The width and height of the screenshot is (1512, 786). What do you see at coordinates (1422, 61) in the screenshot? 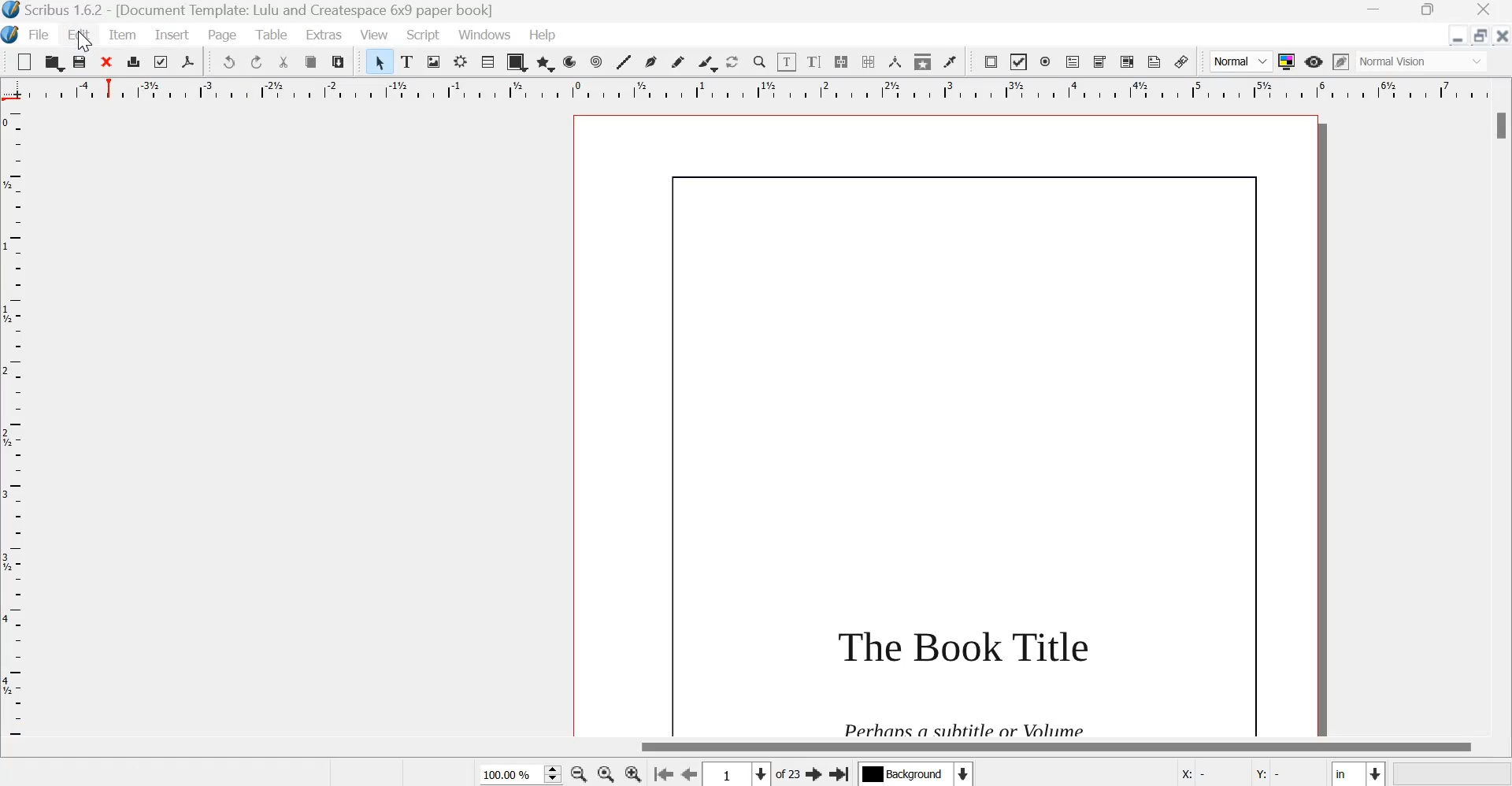
I see `normal vision` at bounding box center [1422, 61].